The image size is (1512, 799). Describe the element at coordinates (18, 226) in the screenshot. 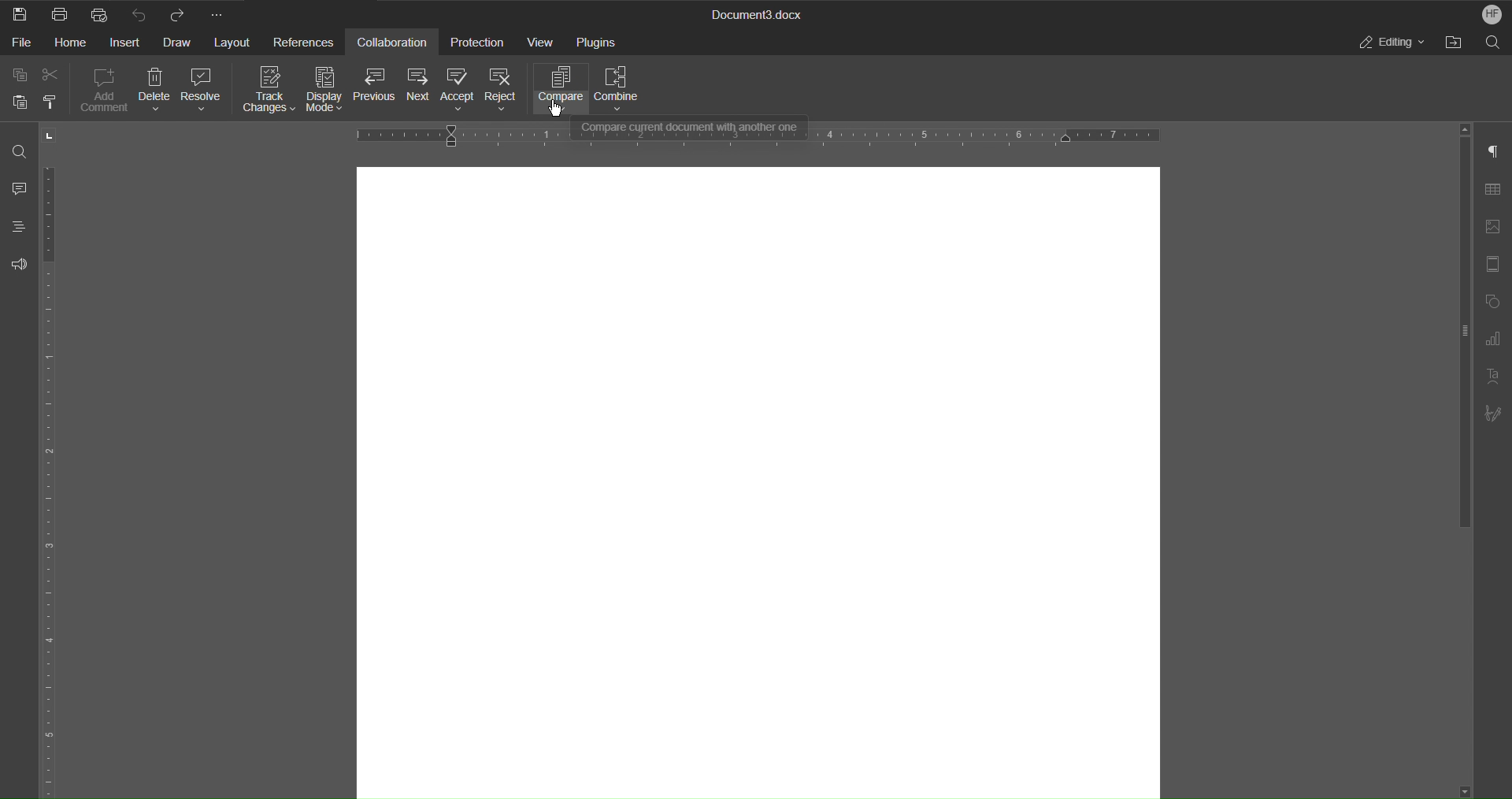

I see `Headings` at that location.